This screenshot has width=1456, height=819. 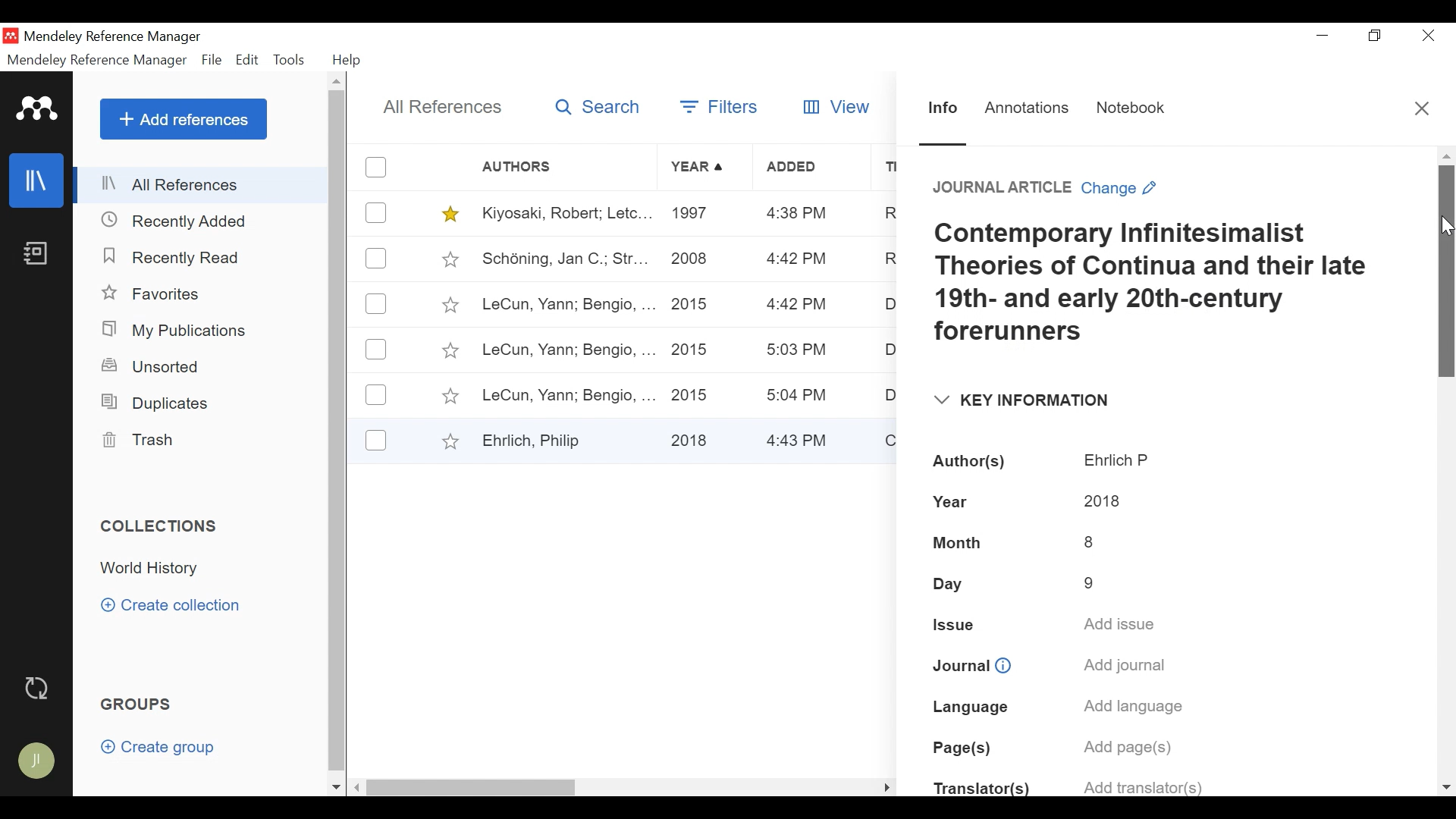 What do you see at coordinates (183, 119) in the screenshot?
I see `Add References` at bounding box center [183, 119].